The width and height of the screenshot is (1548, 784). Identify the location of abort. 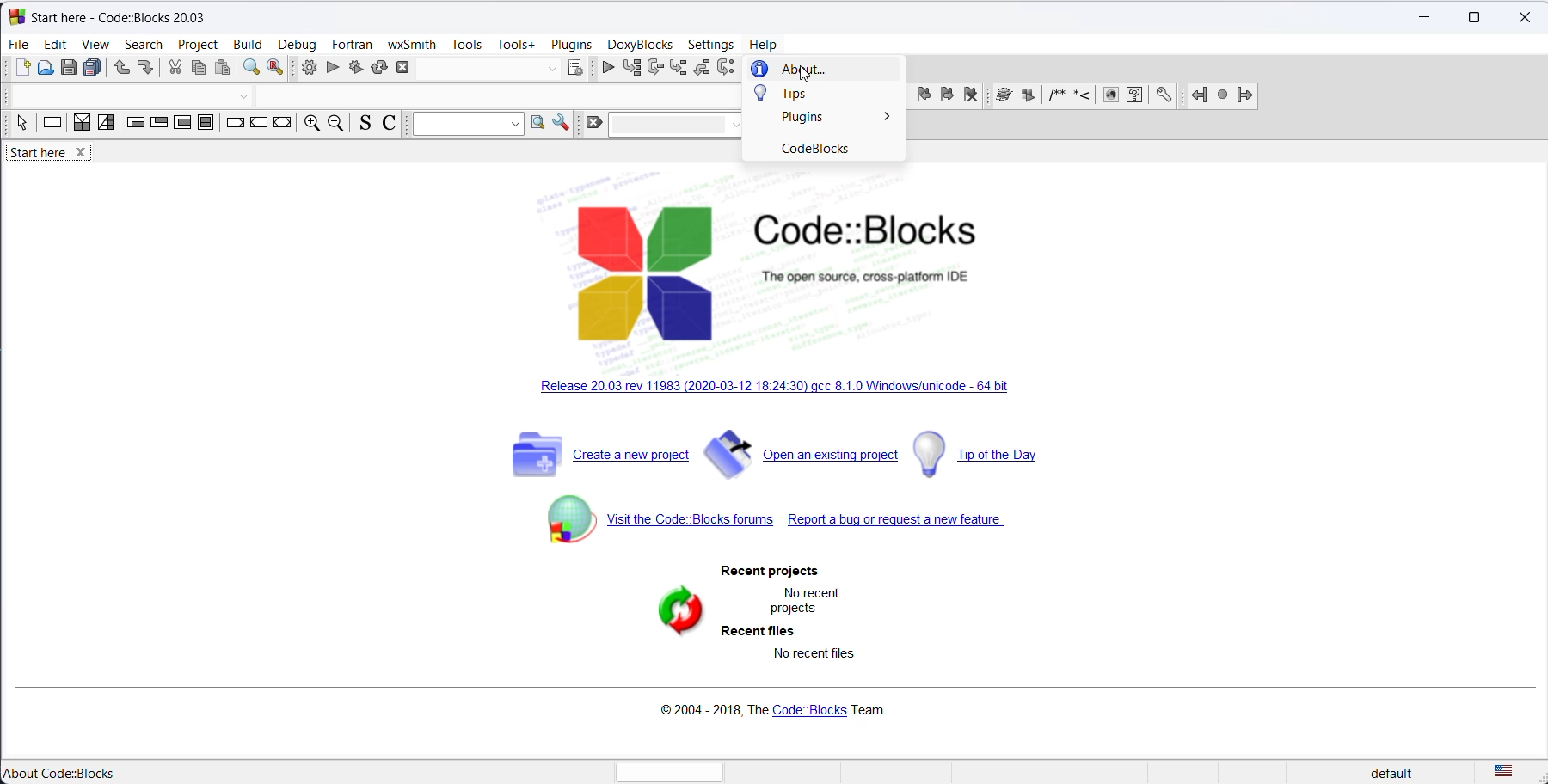
(409, 69).